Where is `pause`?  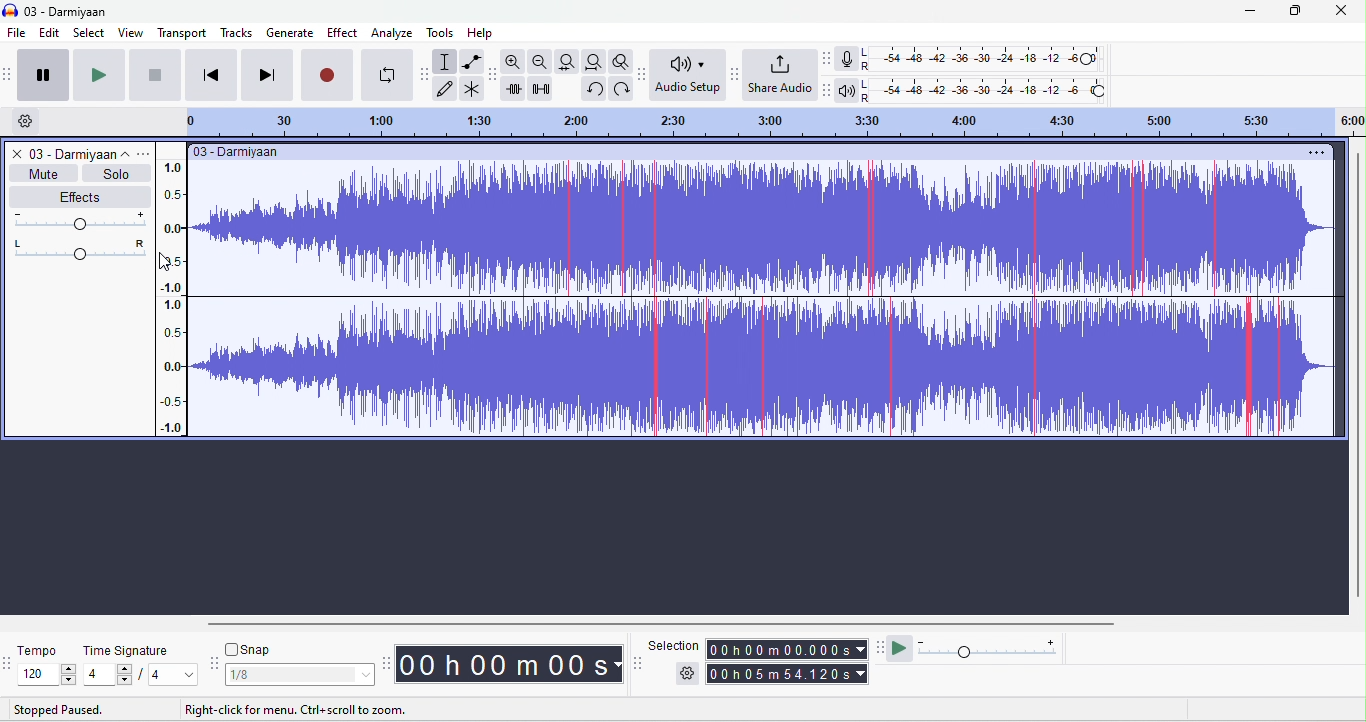 pause is located at coordinates (44, 74).